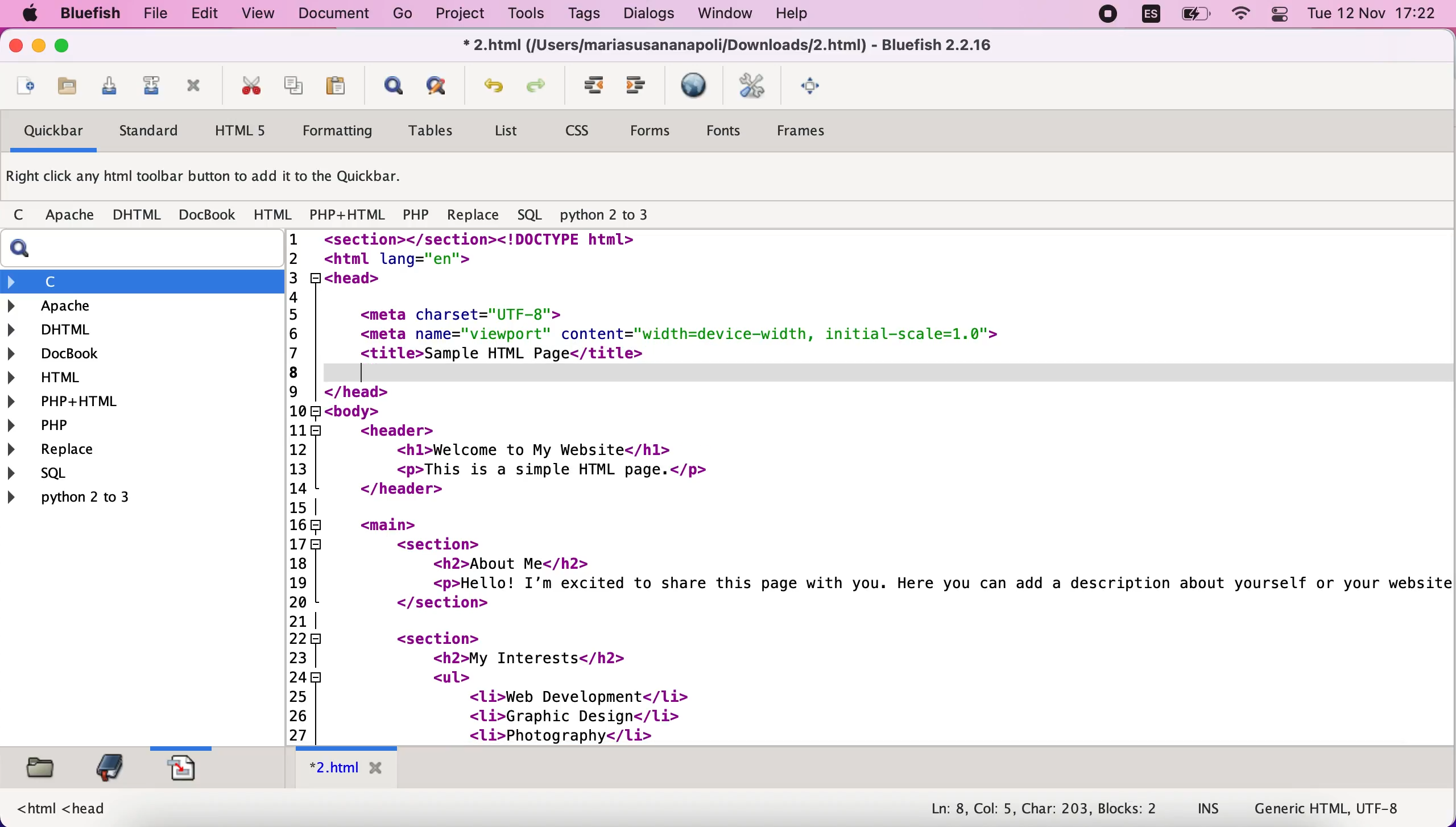 This screenshot has width=1456, height=827. What do you see at coordinates (437, 131) in the screenshot?
I see `tables` at bounding box center [437, 131].